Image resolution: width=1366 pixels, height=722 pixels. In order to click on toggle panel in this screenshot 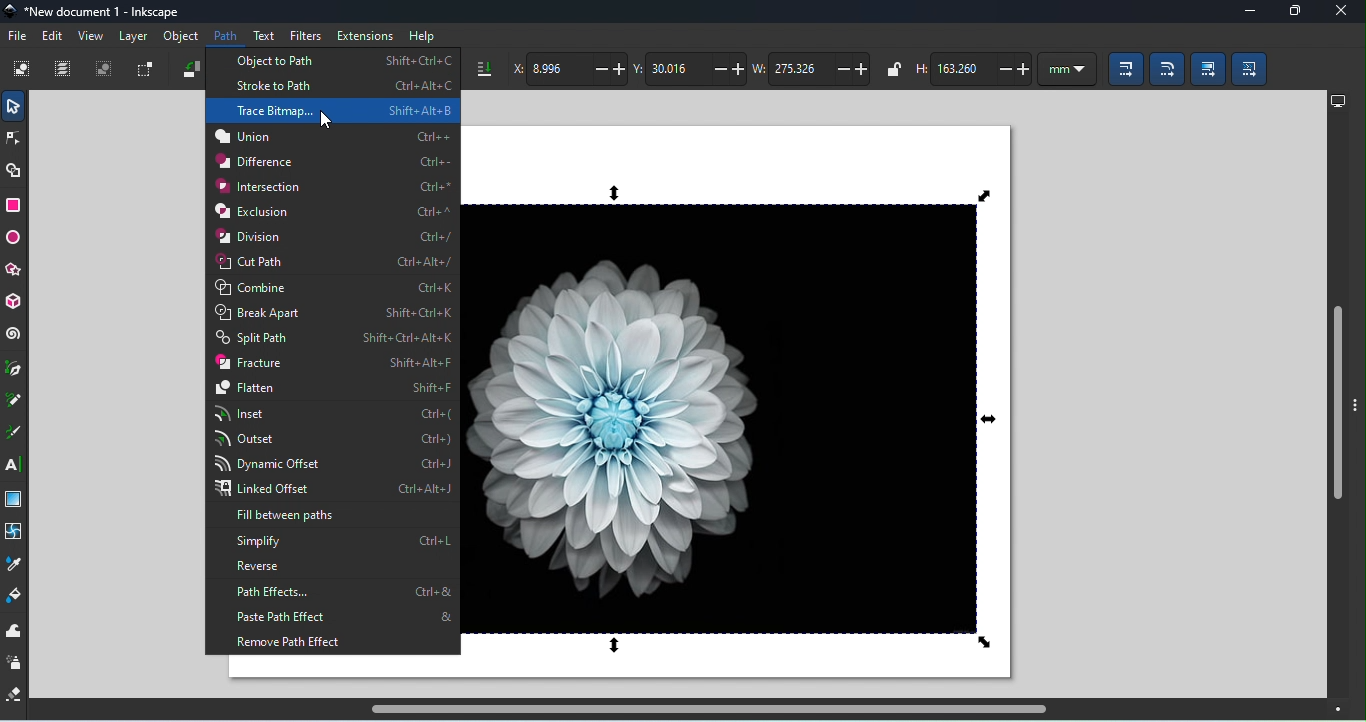, I will do `click(1358, 419)`.